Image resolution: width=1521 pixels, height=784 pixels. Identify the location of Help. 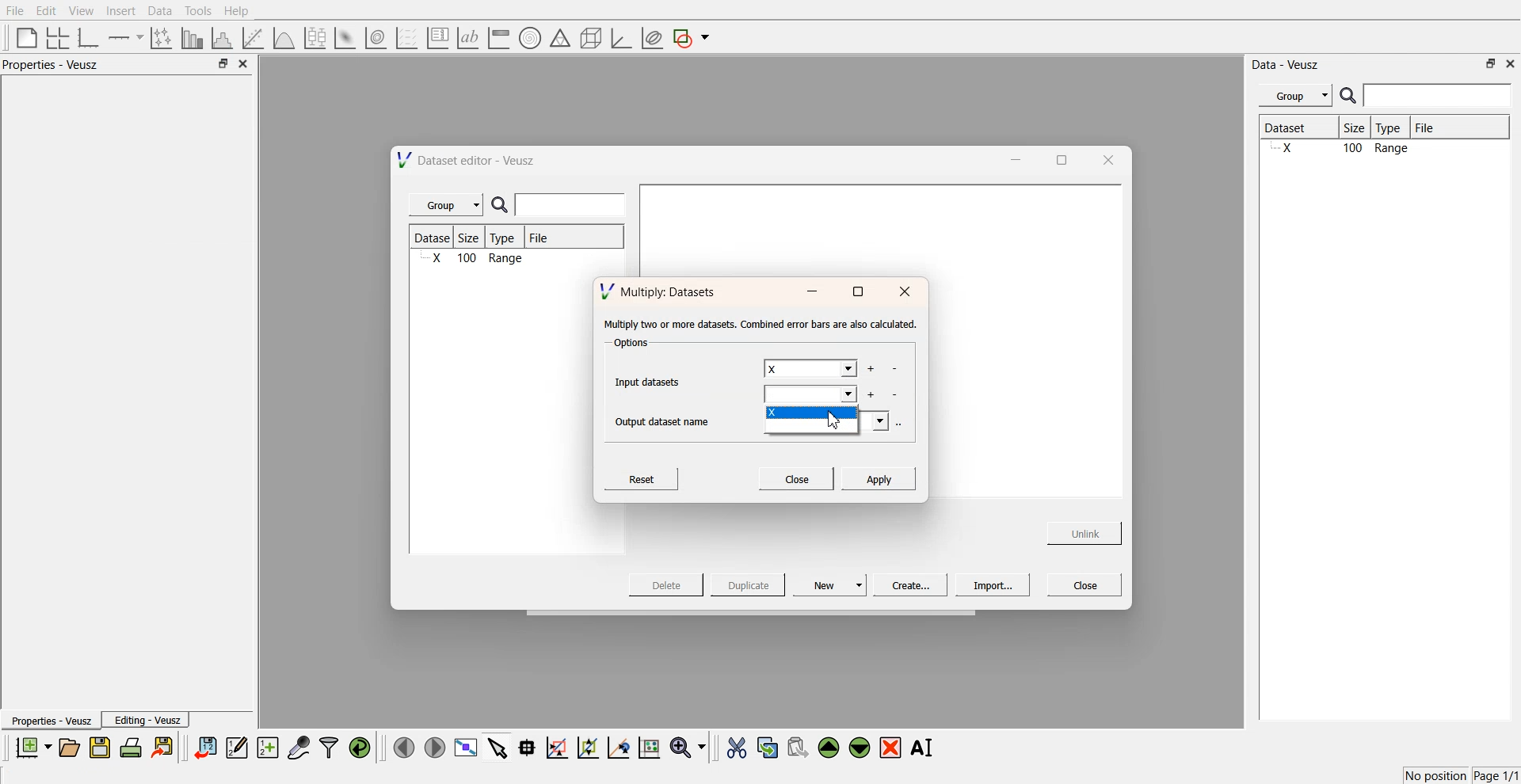
(242, 13).